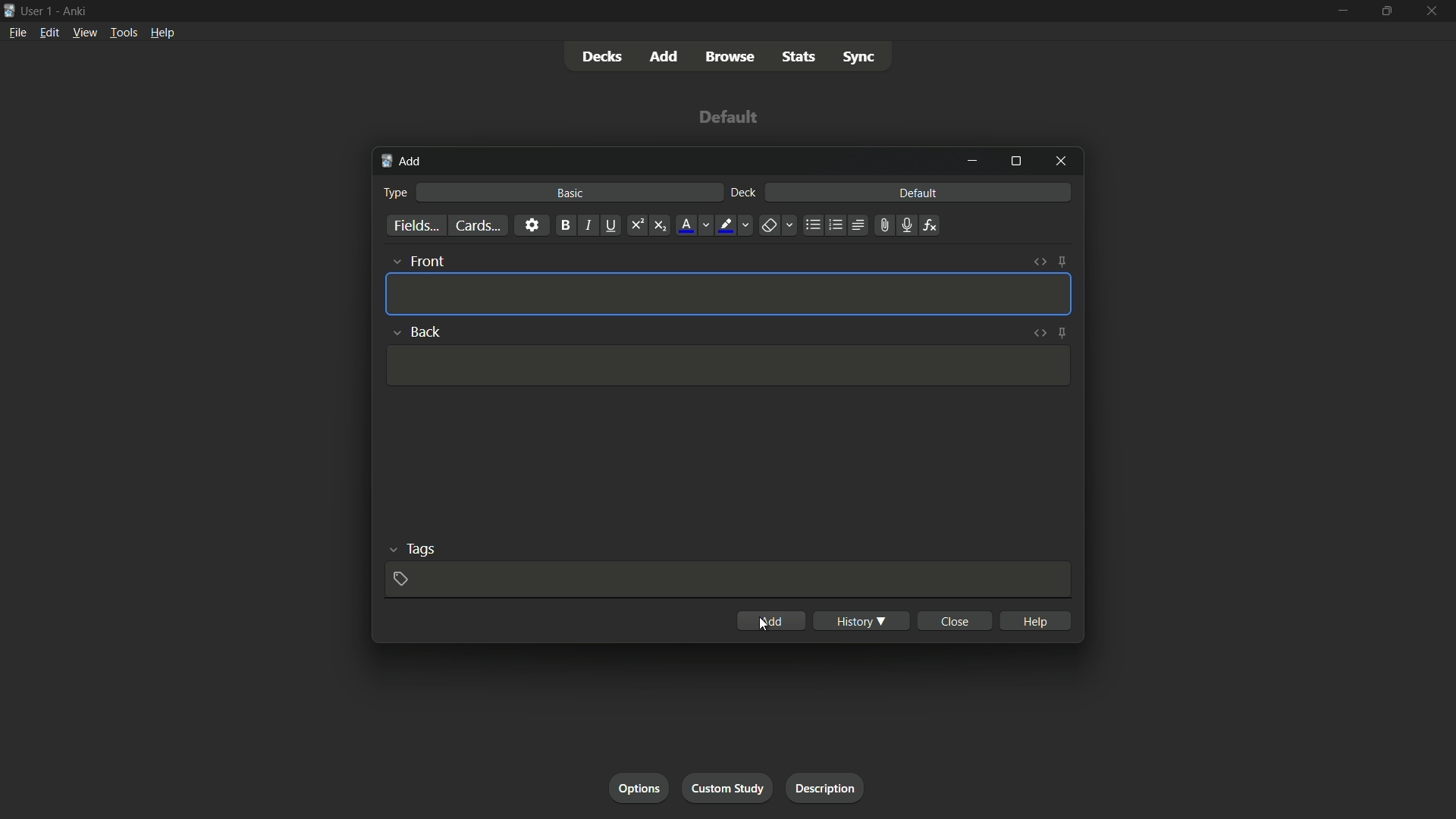 The image size is (1456, 819). Describe the element at coordinates (744, 193) in the screenshot. I see `deck` at that location.